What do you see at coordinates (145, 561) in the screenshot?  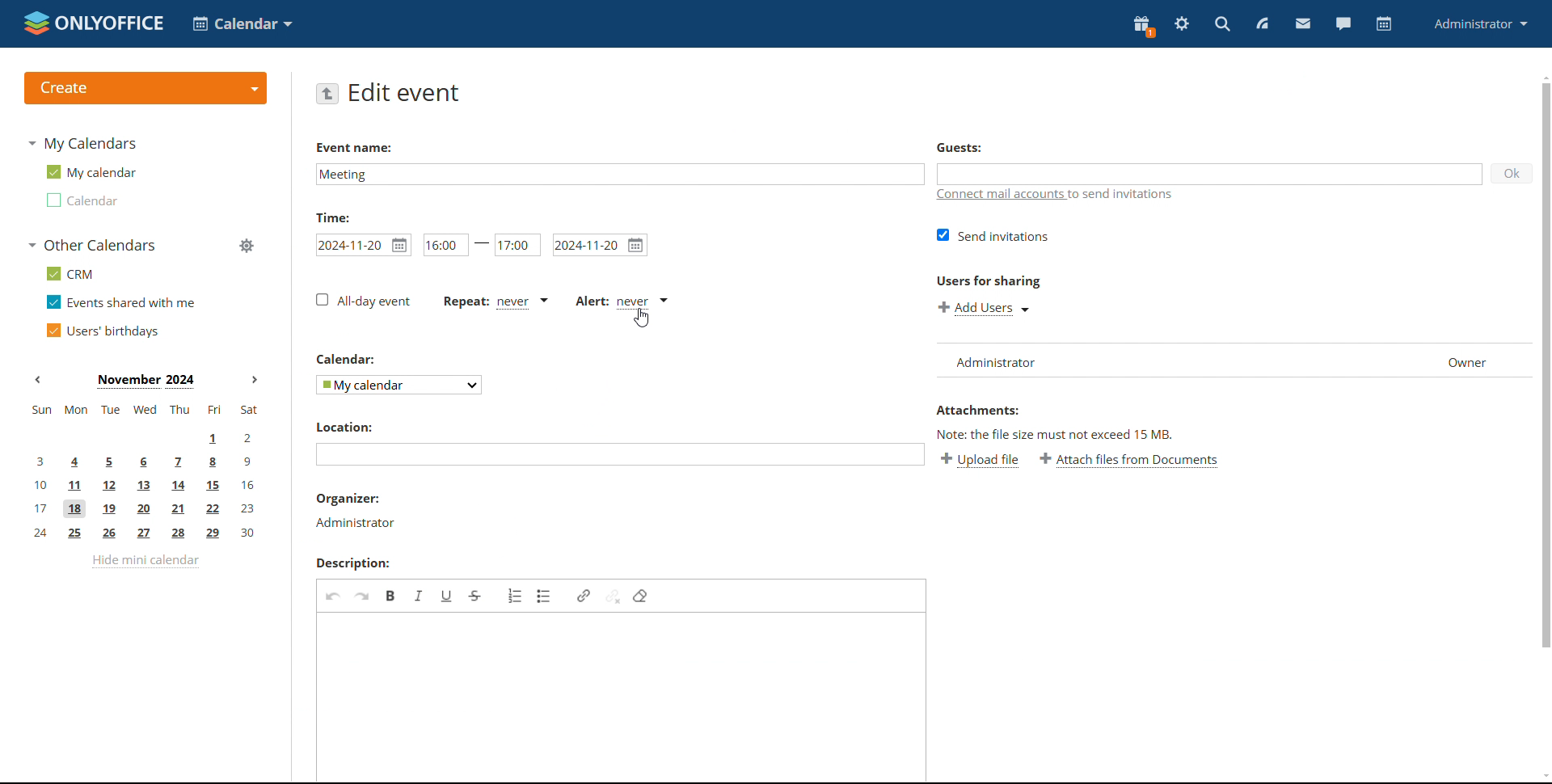 I see `hide mini calendar` at bounding box center [145, 561].